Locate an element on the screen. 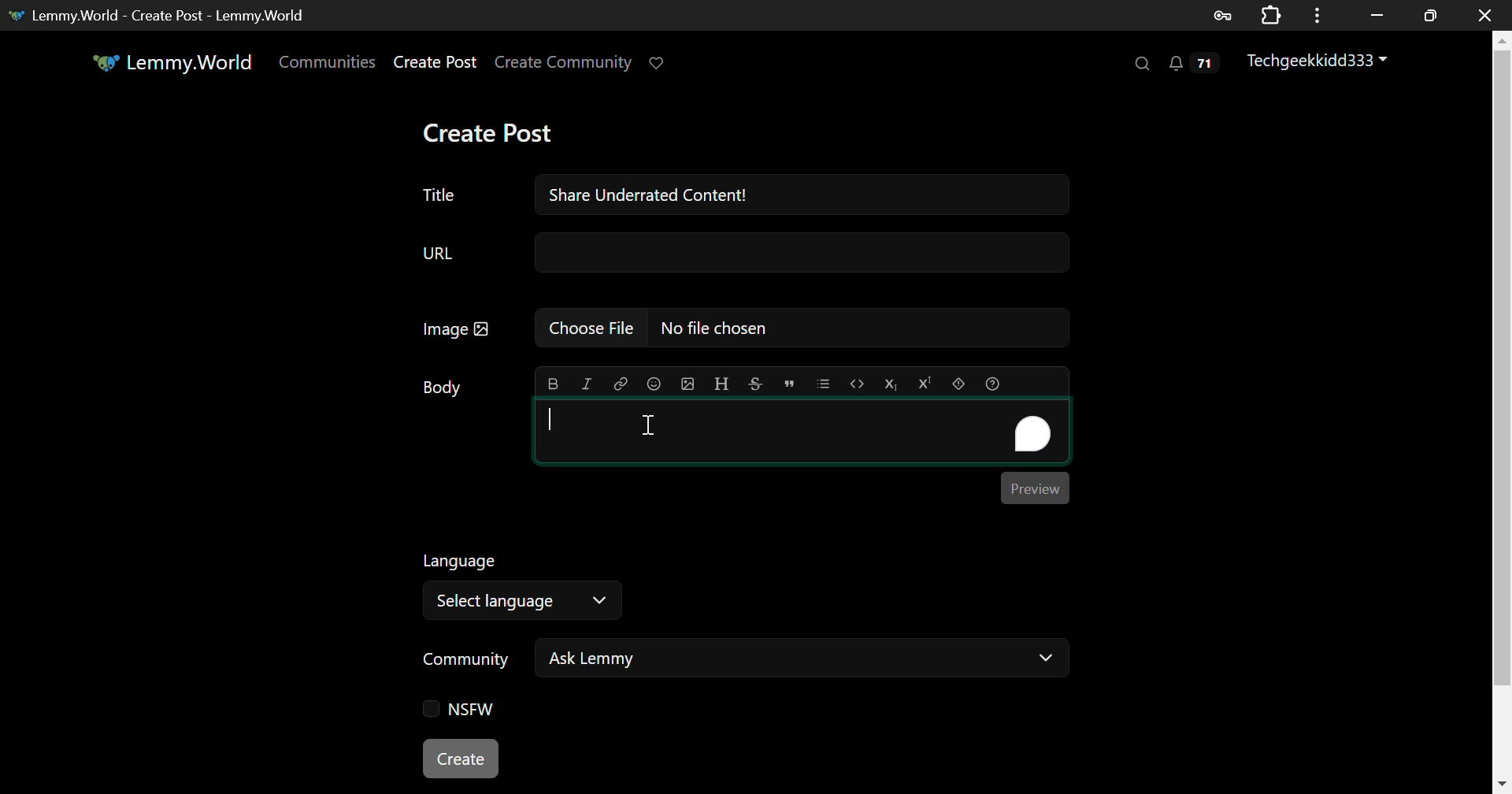  Image Field is located at coordinates (738, 334).